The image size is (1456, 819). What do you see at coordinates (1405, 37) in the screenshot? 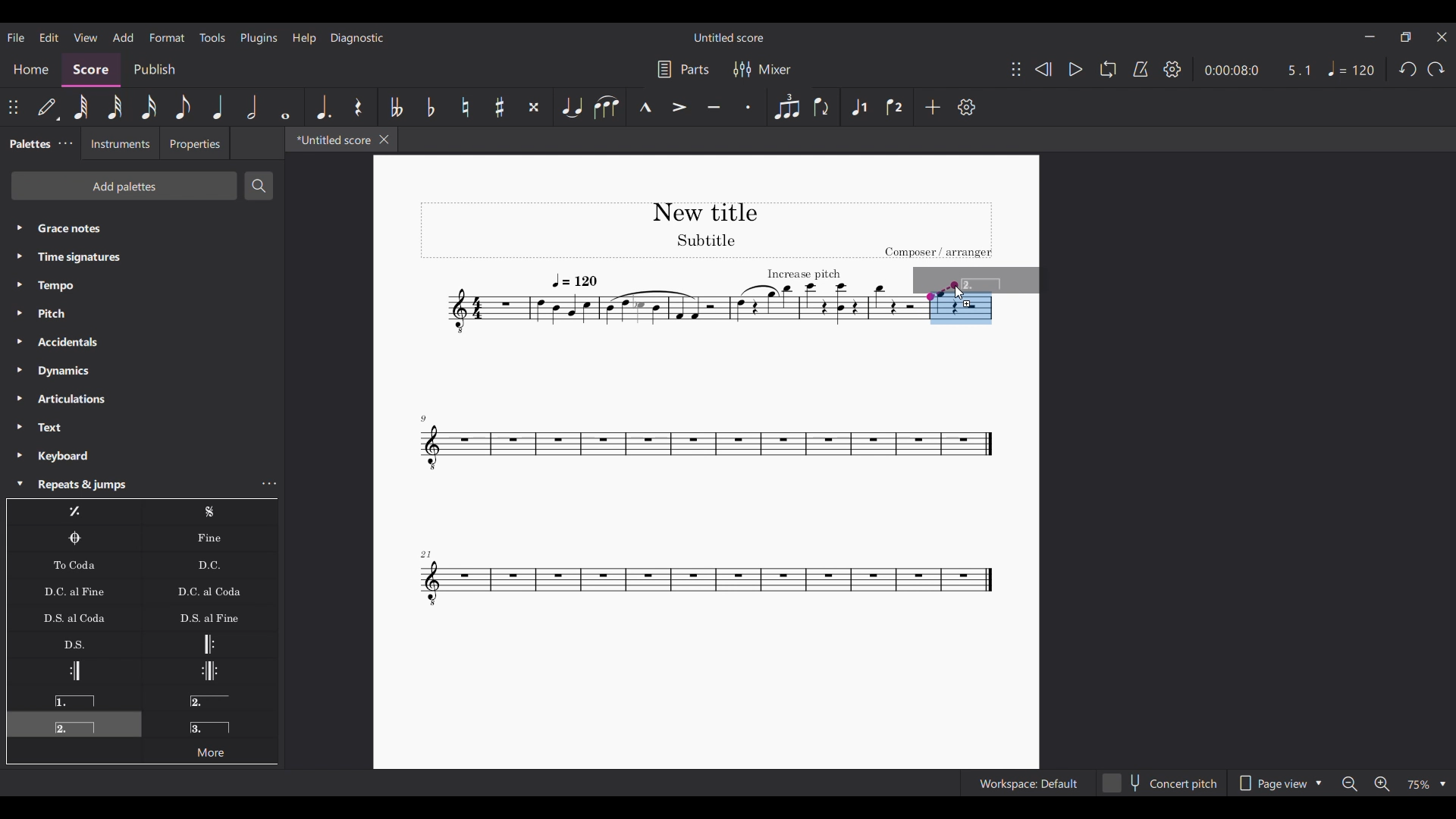
I see `Show in smaller tab` at bounding box center [1405, 37].